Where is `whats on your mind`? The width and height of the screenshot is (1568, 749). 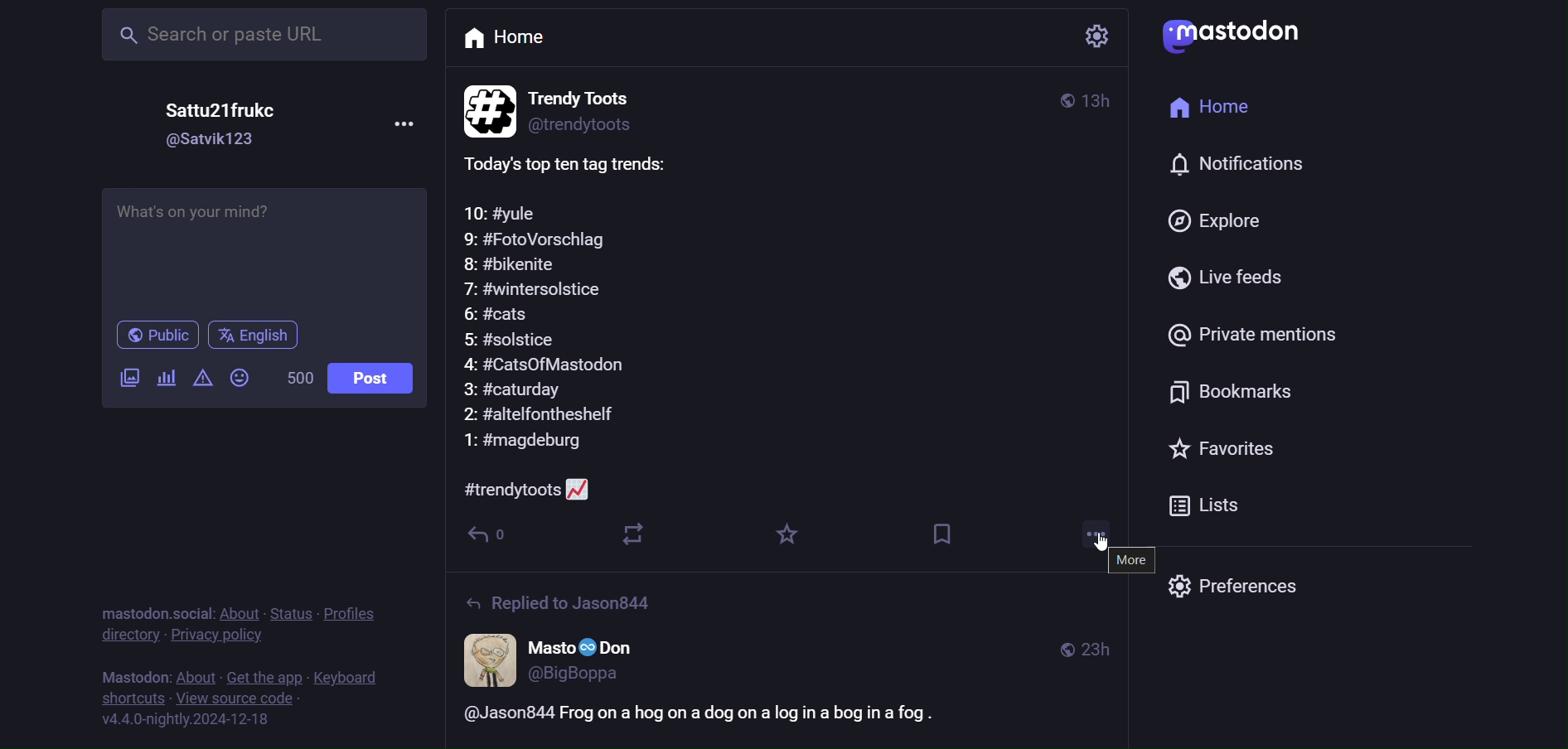 whats on your mind is located at coordinates (266, 244).